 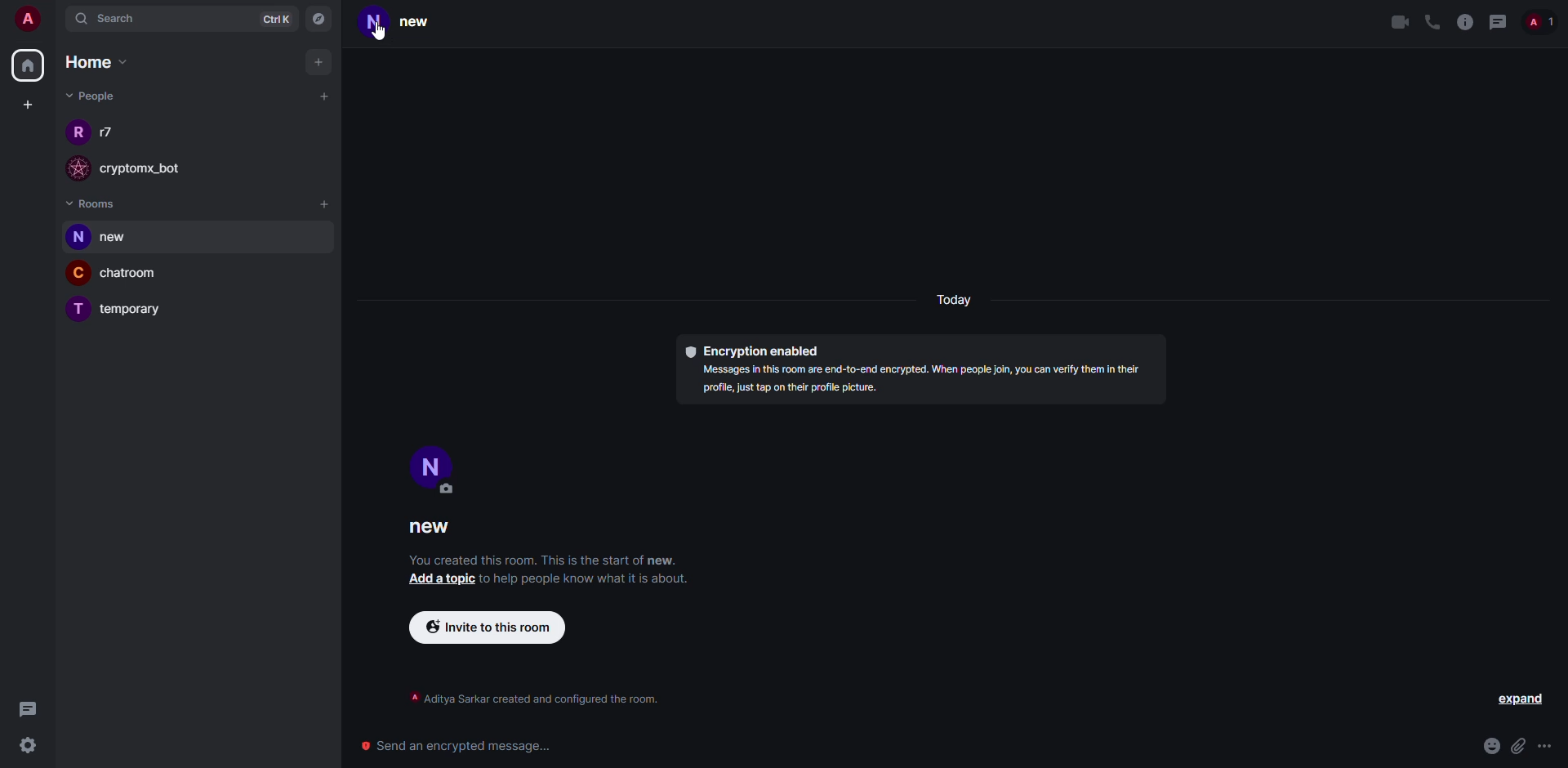 I want to click on send encrypted message, so click(x=459, y=742).